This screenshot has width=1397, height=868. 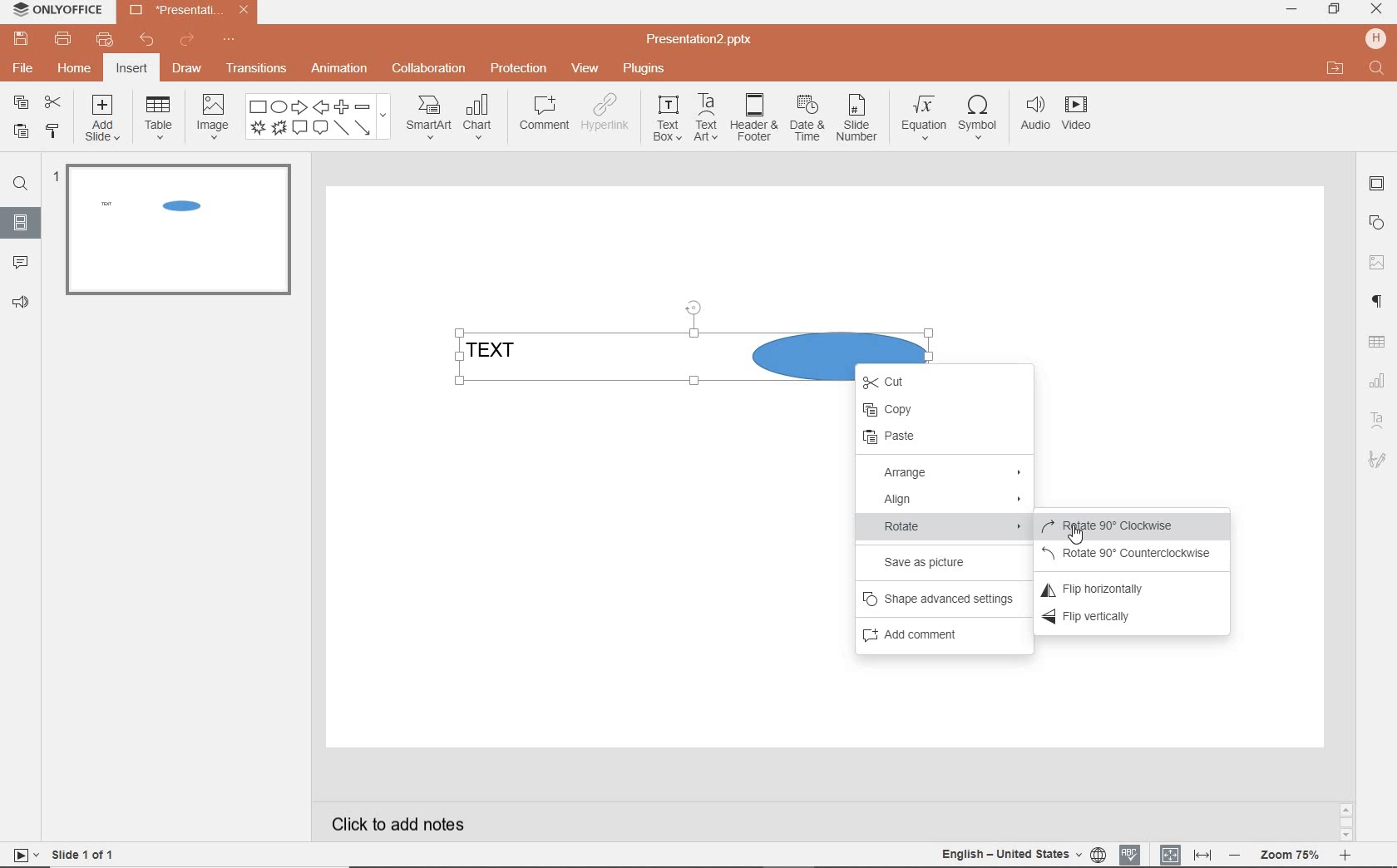 What do you see at coordinates (643, 70) in the screenshot?
I see `plugins` at bounding box center [643, 70].